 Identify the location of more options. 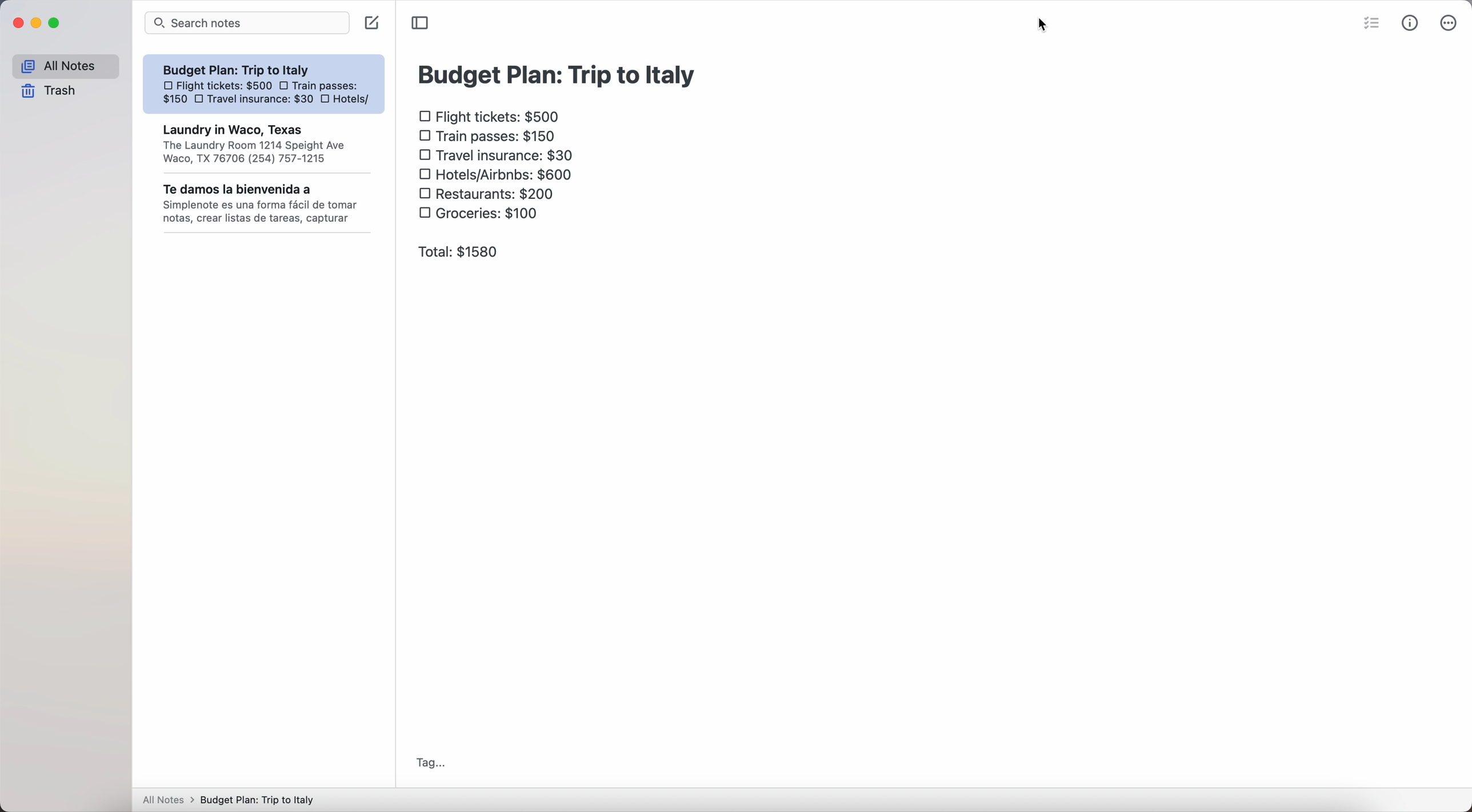
(1451, 22).